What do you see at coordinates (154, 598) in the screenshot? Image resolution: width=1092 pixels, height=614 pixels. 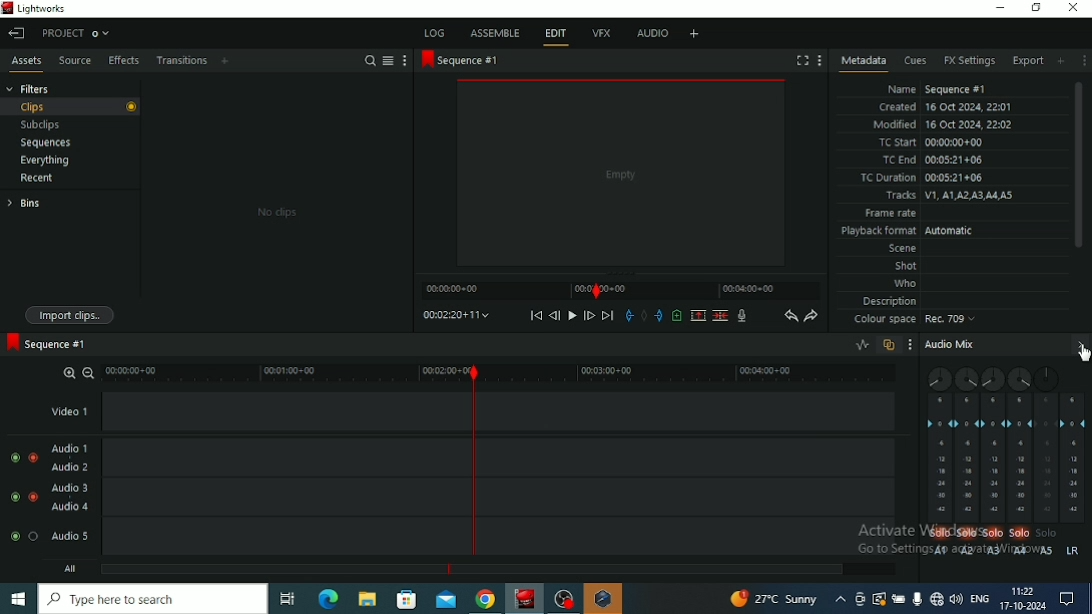 I see `Type here to search` at bounding box center [154, 598].